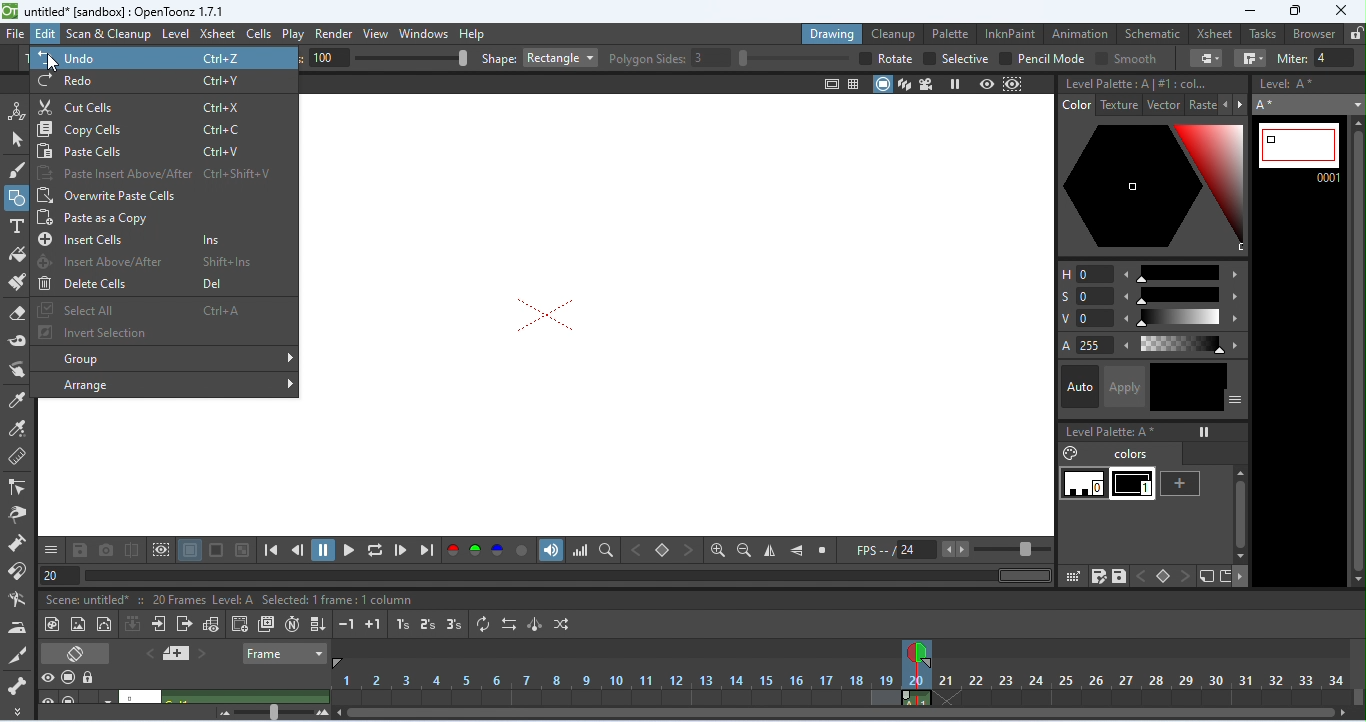  What do you see at coordinates (578, 550) in the screenshot?
I see `histogram` at bounding box center [578, 550].